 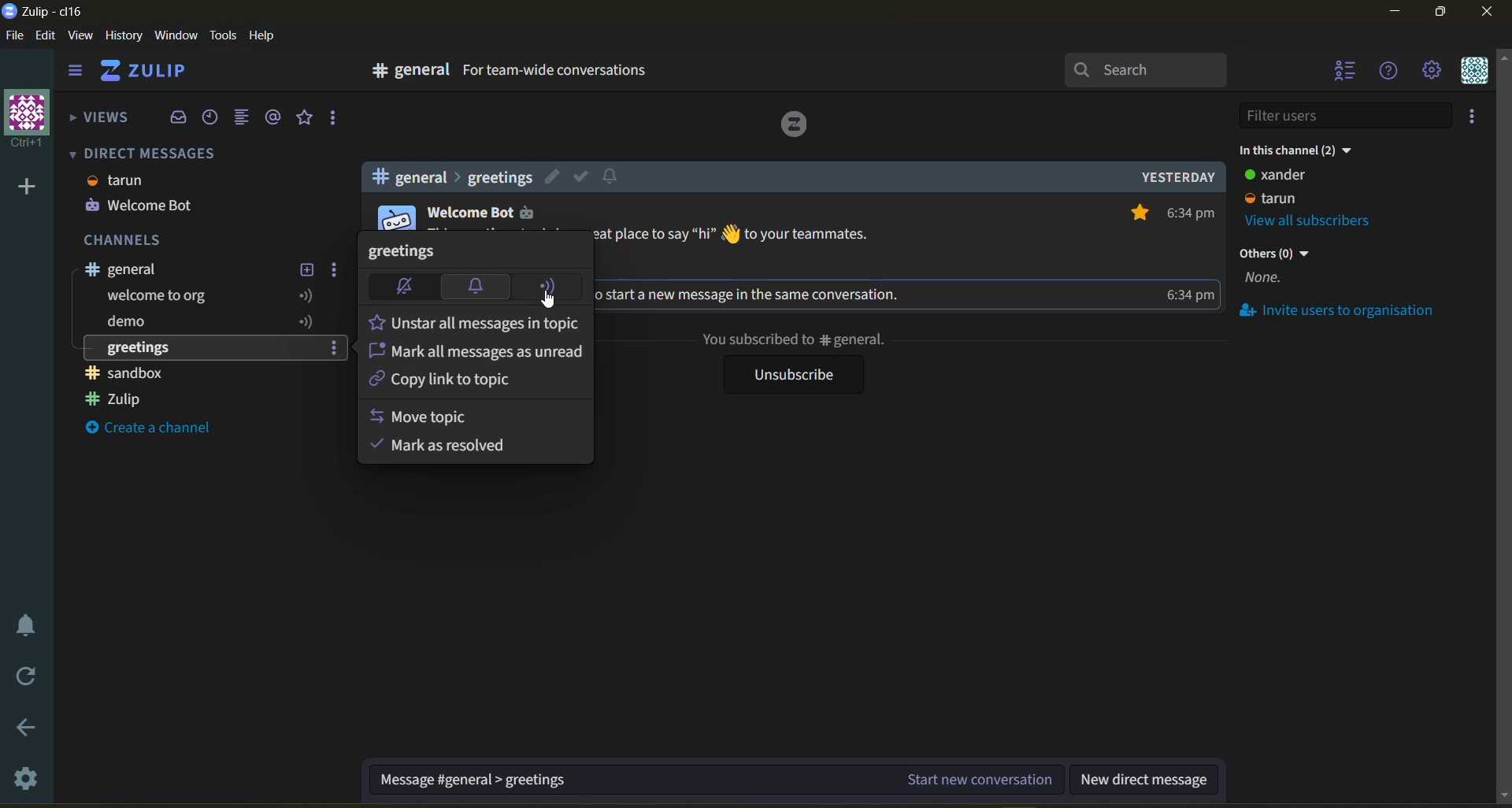 What do you see at coordinates (222, 38) in the screenshot?
I see `tools` at bounding box center [222, 38].